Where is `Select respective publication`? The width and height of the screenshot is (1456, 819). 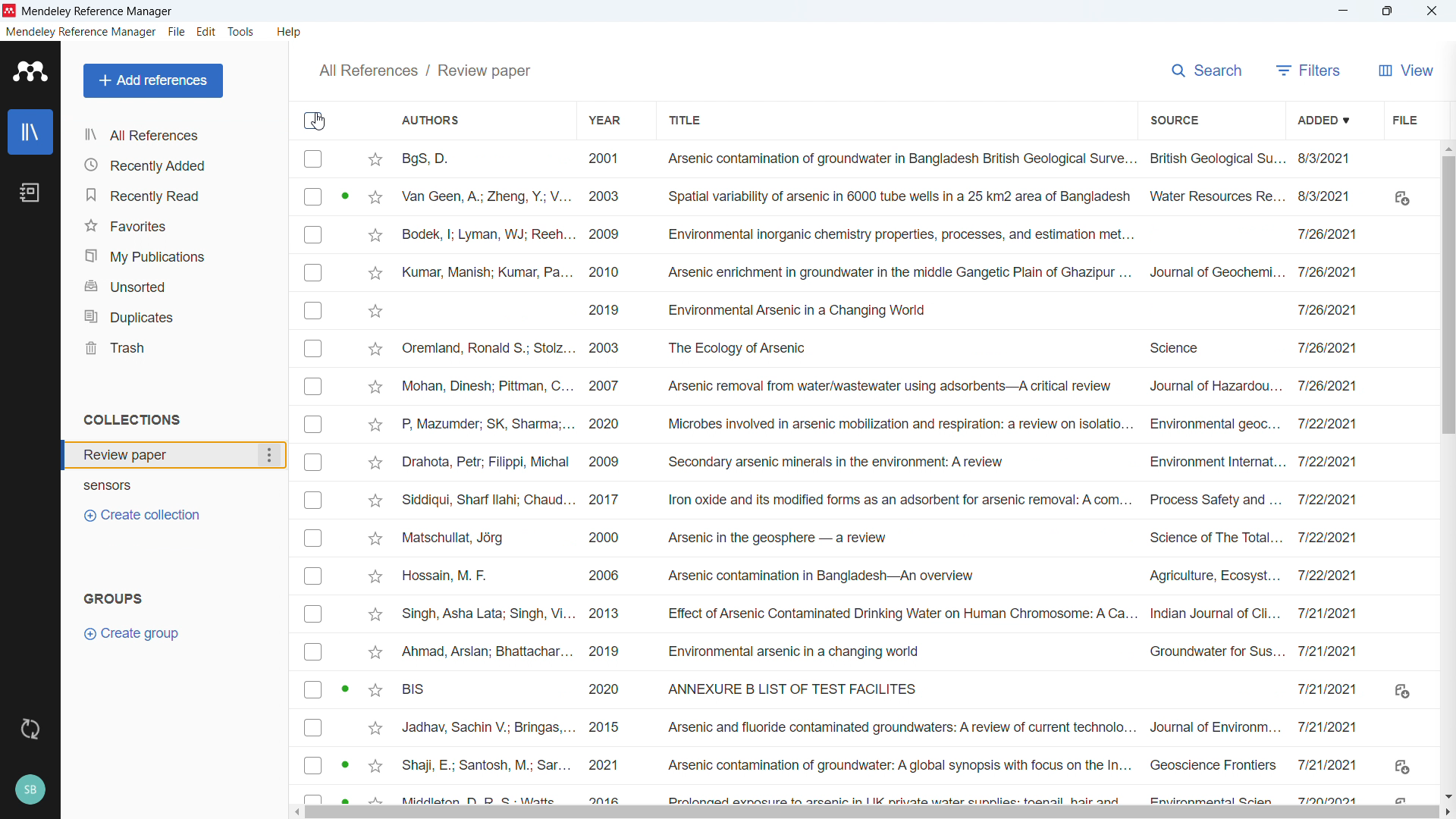
Select respective publication is located at coordinates (313, 310).